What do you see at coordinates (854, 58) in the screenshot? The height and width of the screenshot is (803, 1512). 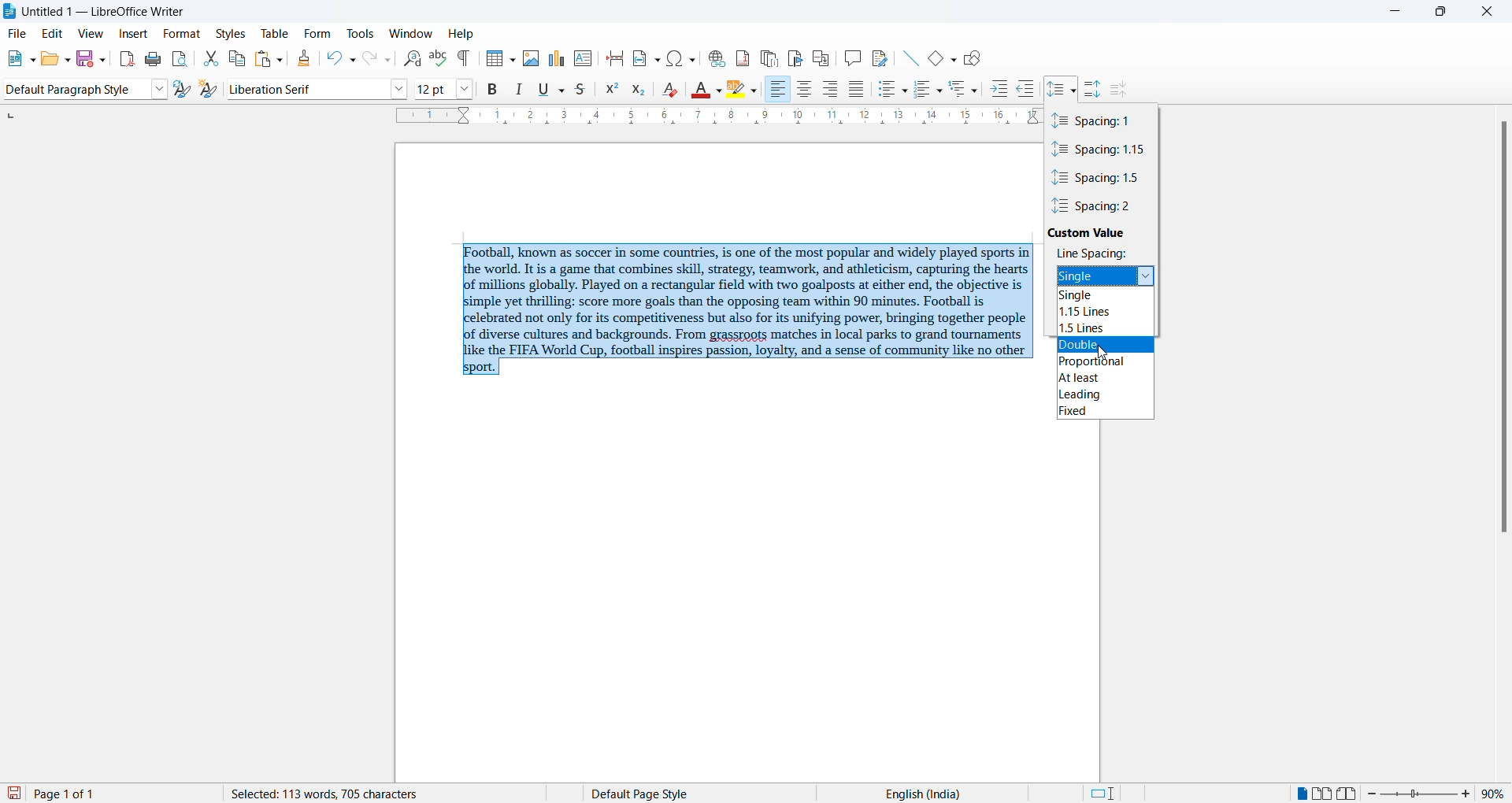 I see `insert comments` at bounding box center [854, 58].